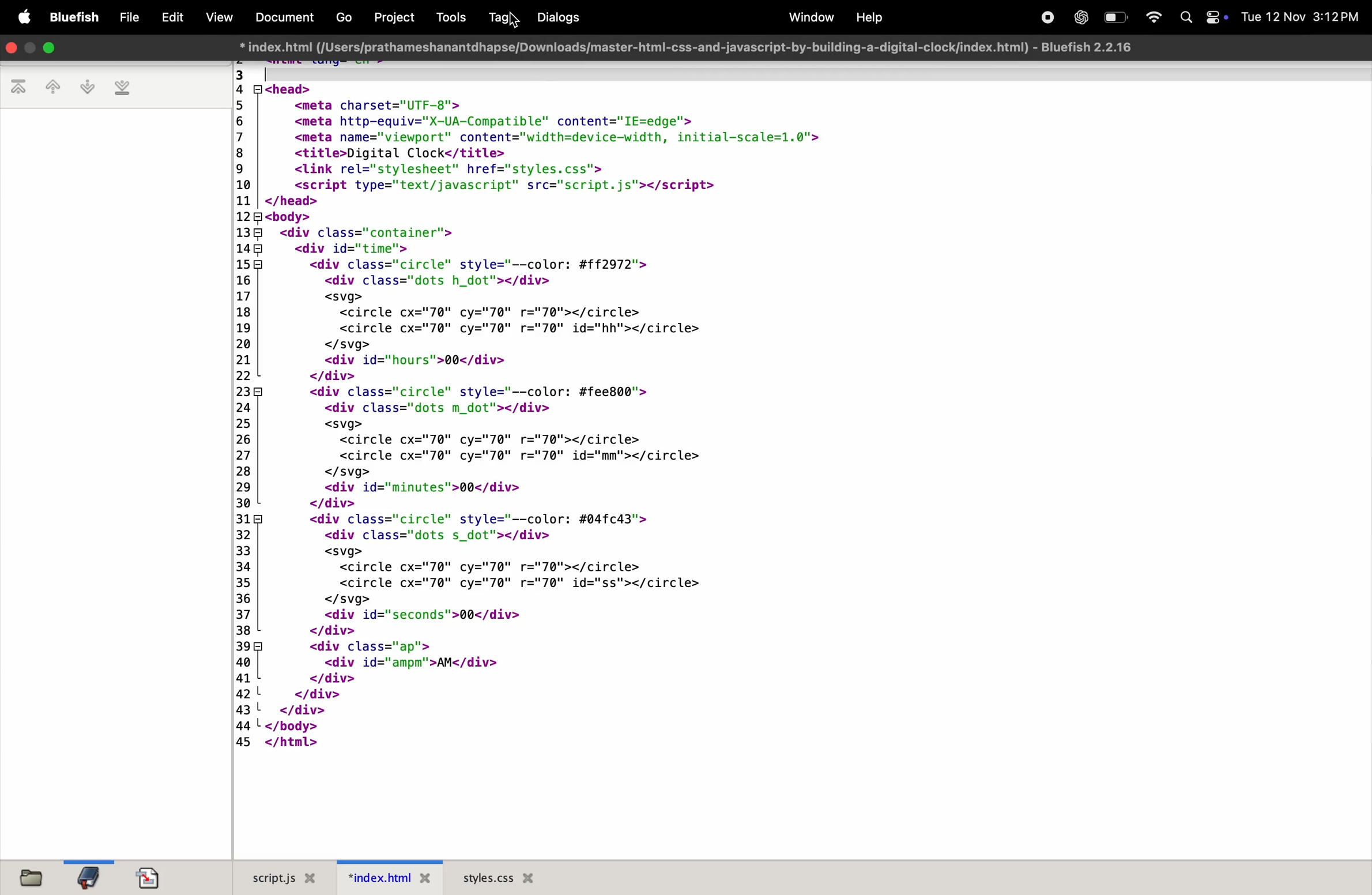 The height and width of the screenshot is (895, 1372). Describe the element at coordinates (800, 460) in the screenshot. I see `code using html, css, javascript to build a digital clock. The code contains <head> that has a <title> <link> and <script type>. <Body> contains different <id> and <class>` at that location.